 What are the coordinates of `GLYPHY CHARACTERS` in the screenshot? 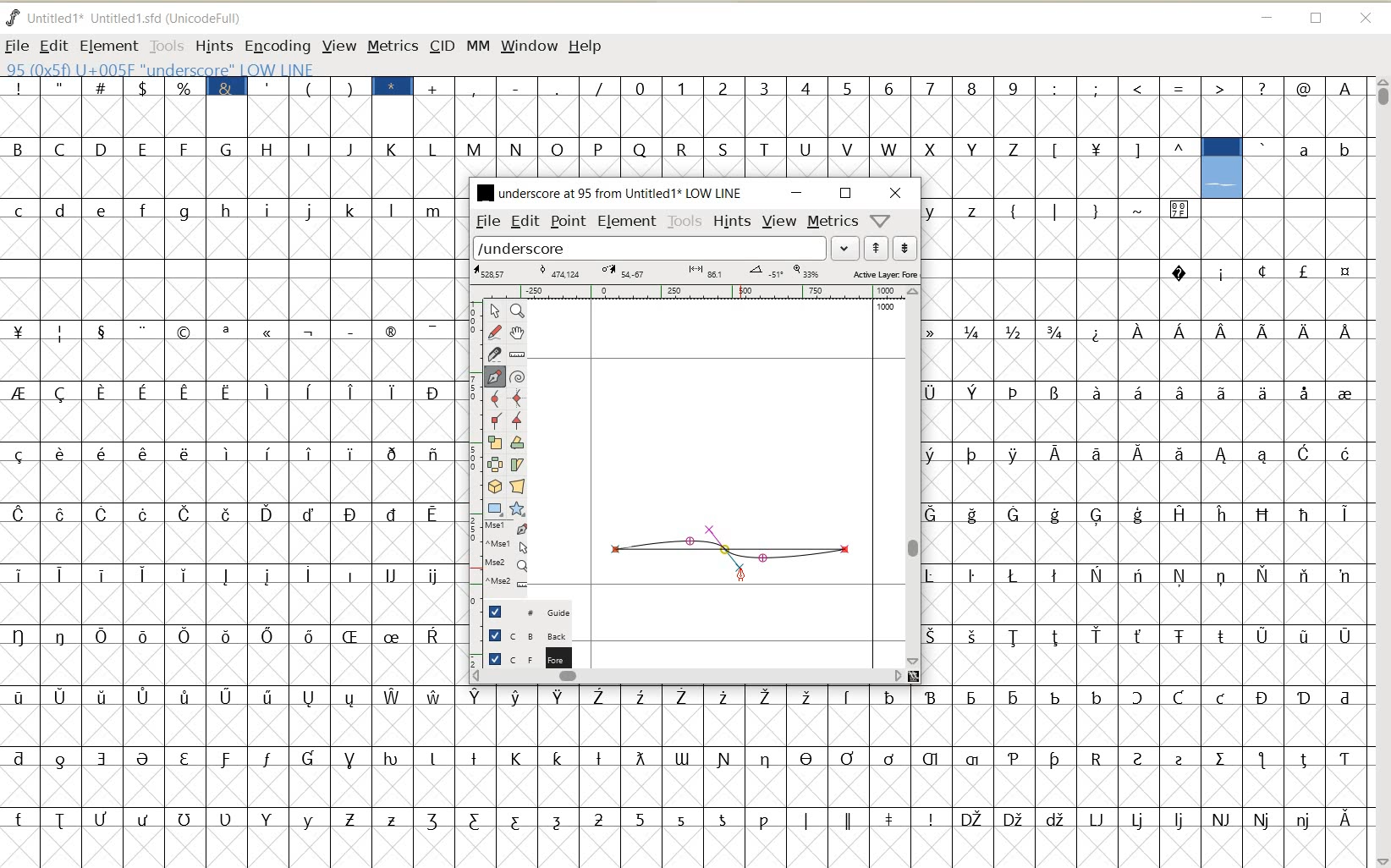 It's located at (1059, 491).